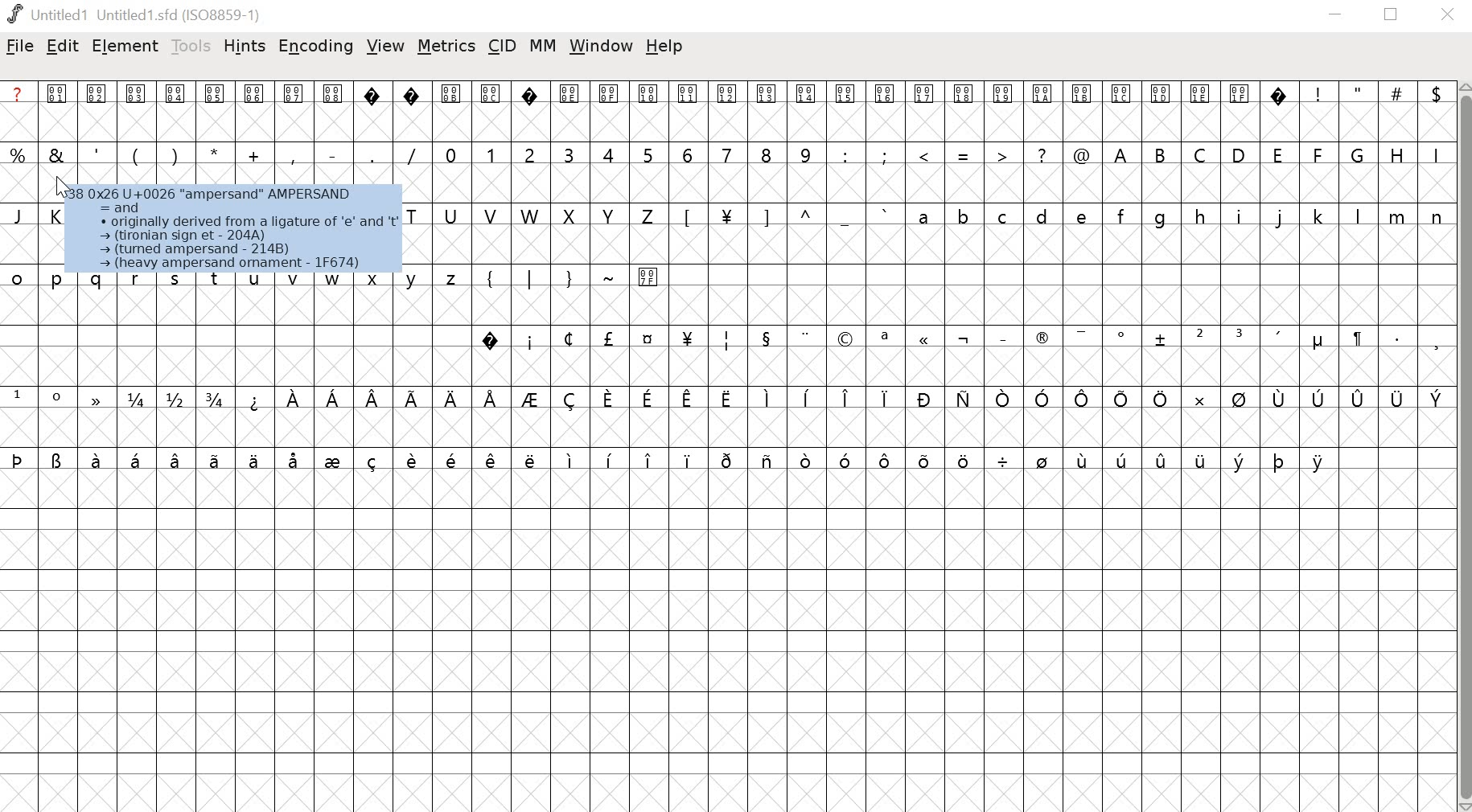  What do you see at coordinates (1043, 154) in the screenshot?
I see `?` at bounding box center [1043, 154].